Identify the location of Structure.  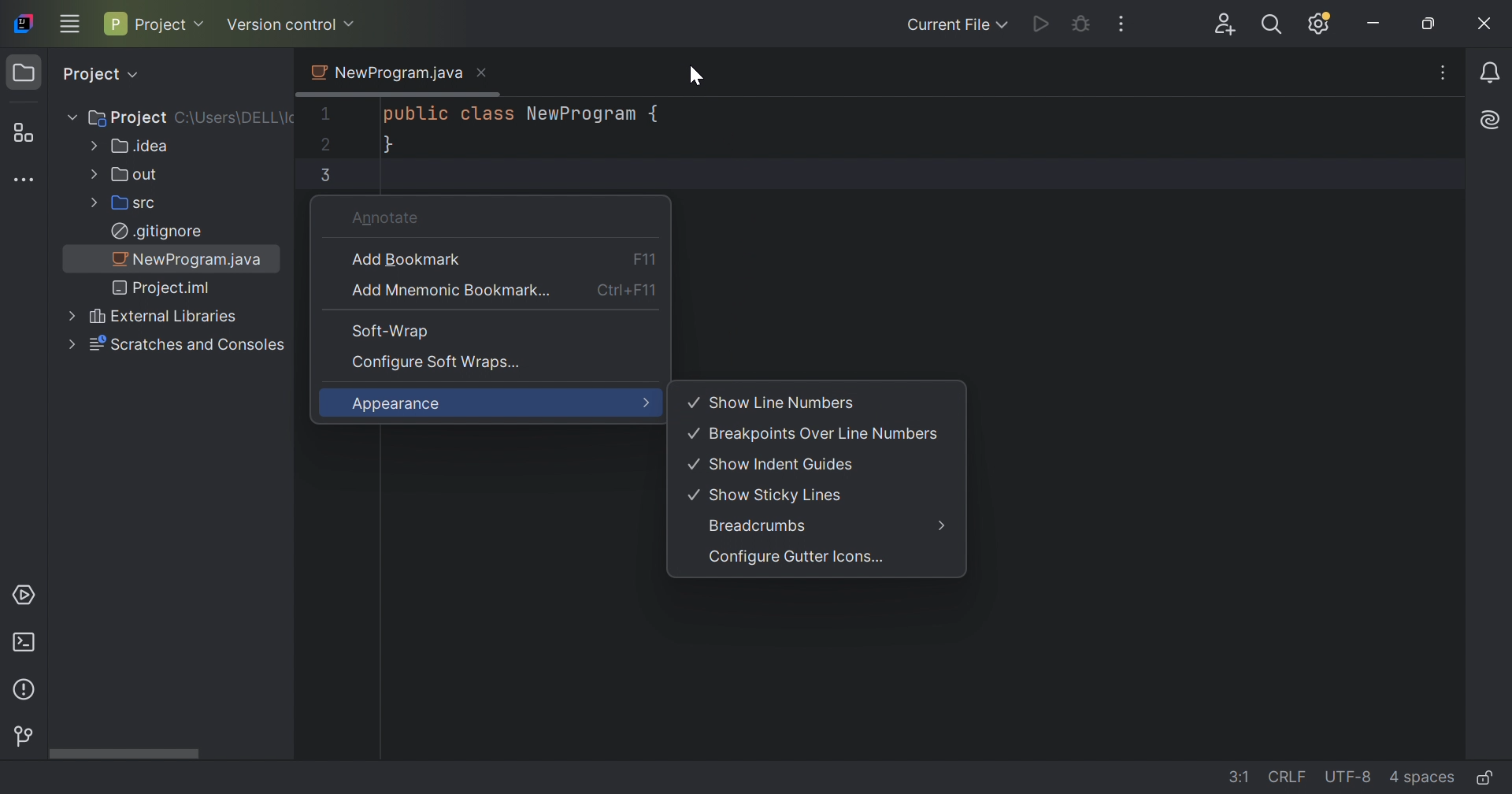
(22, 132).